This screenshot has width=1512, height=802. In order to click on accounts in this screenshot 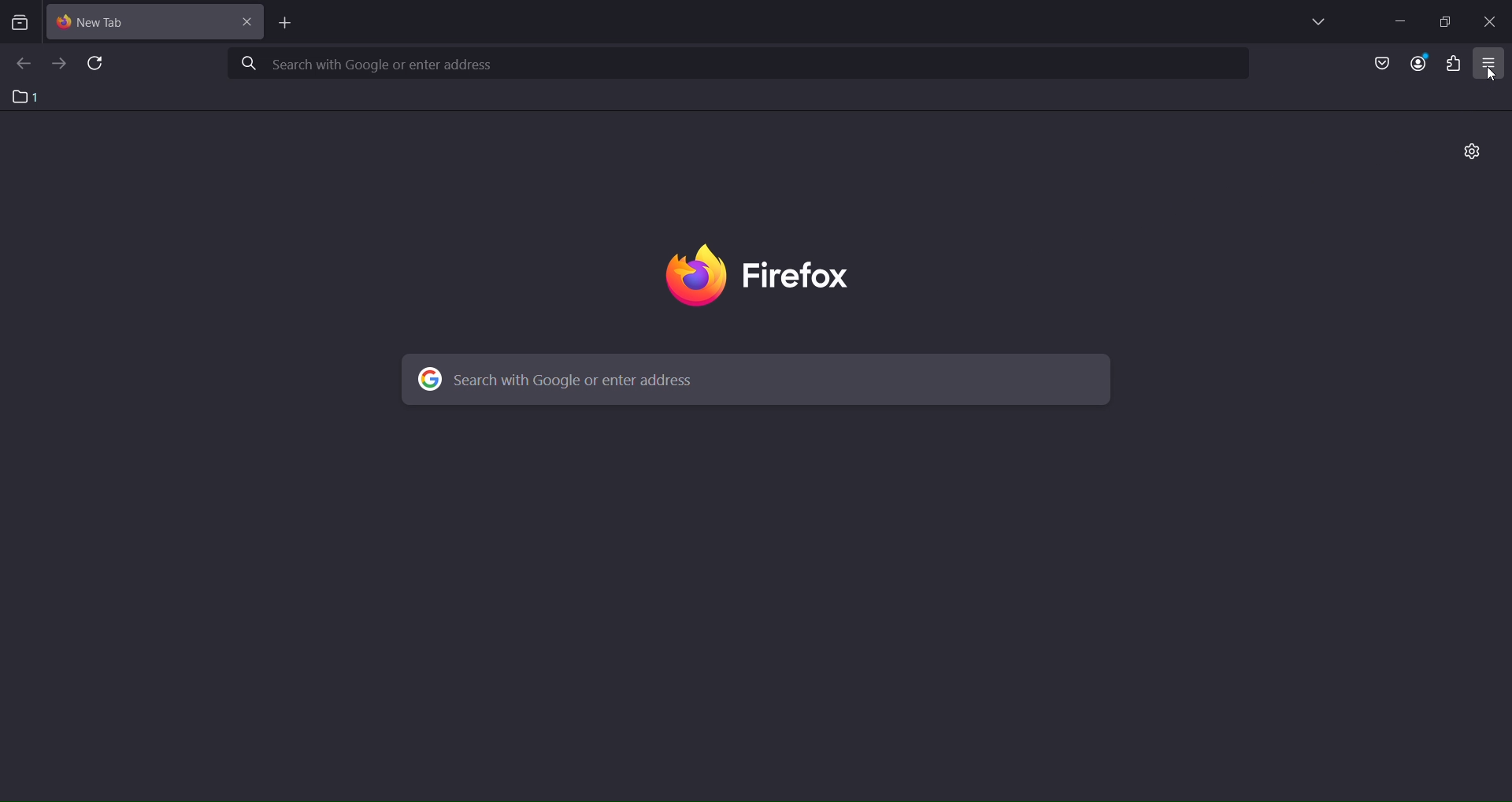, I will do `click(1422, 64)`.